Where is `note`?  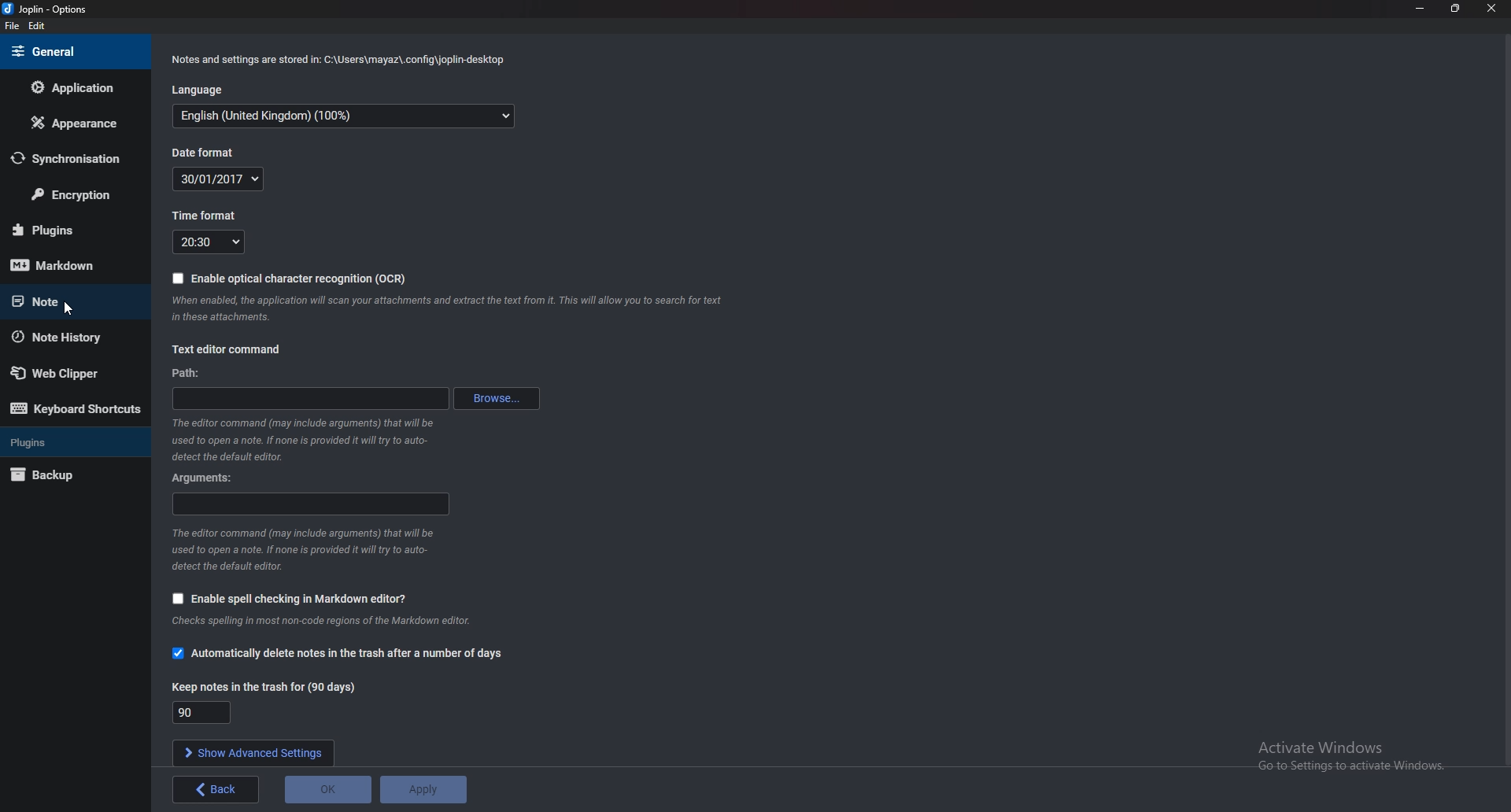 note is located at coordinates (68, 301).